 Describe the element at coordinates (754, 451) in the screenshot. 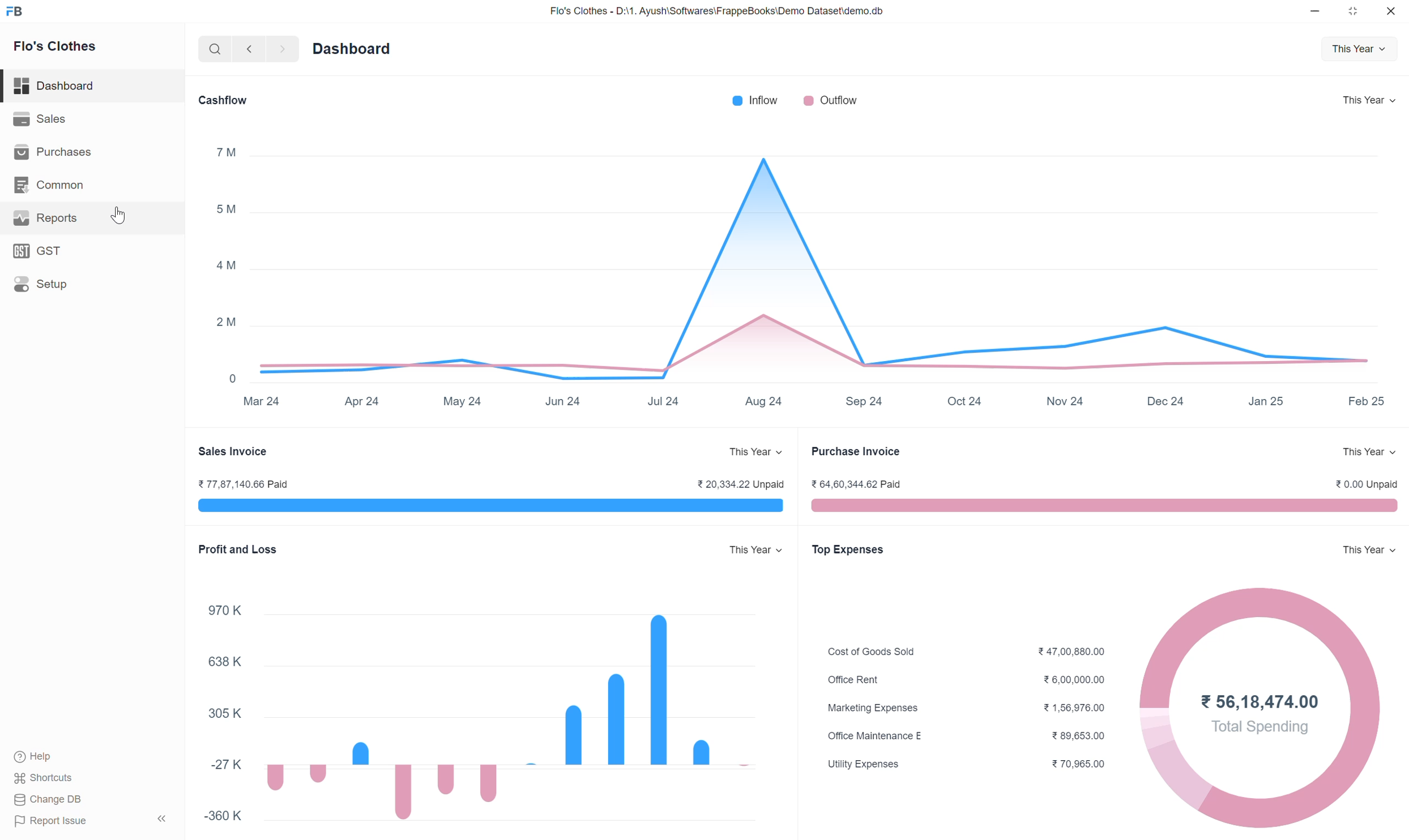

I see `this year` at that location.